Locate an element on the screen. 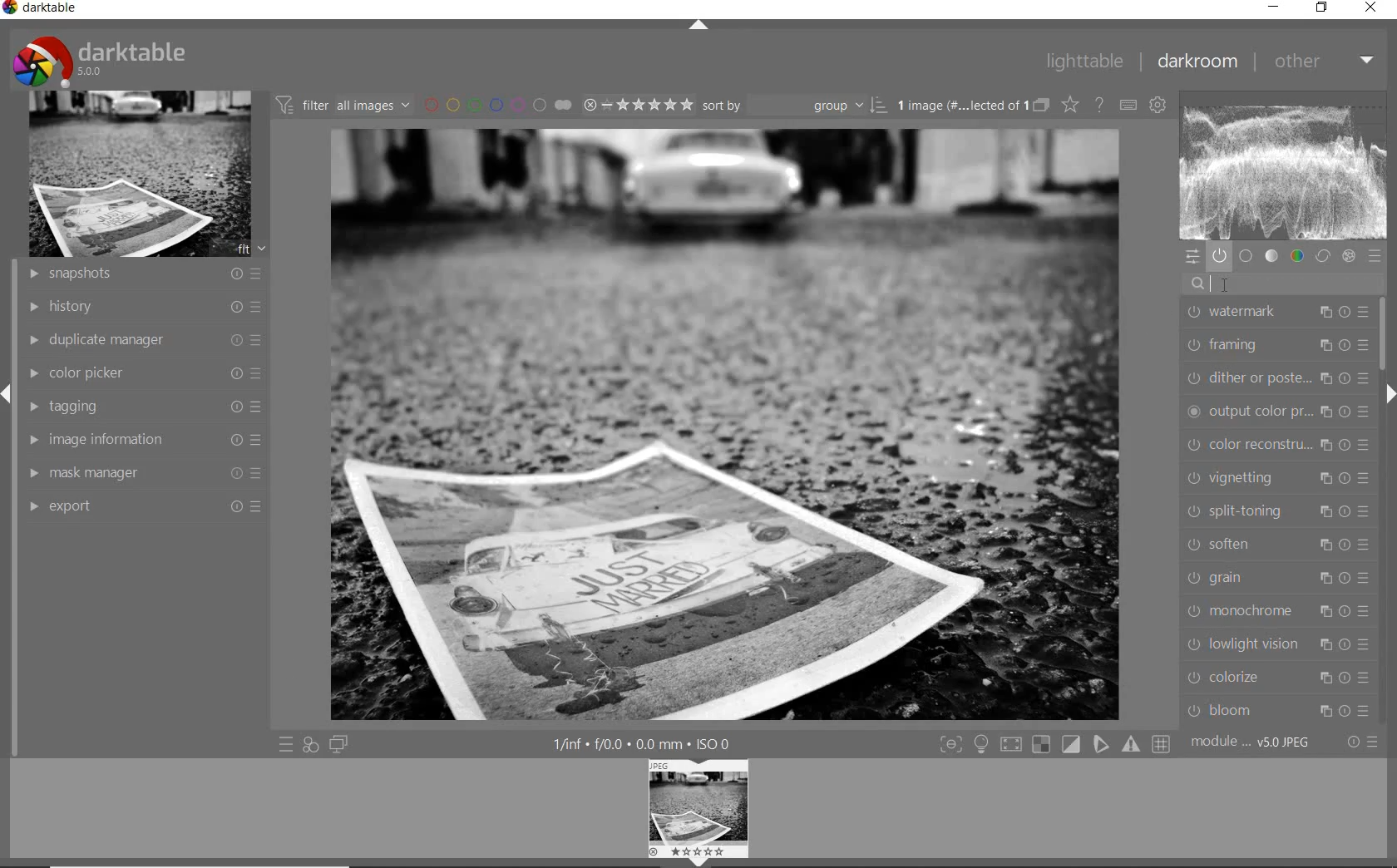 The image size is (1397, 868). framing is located at coordinates (1276, 346).